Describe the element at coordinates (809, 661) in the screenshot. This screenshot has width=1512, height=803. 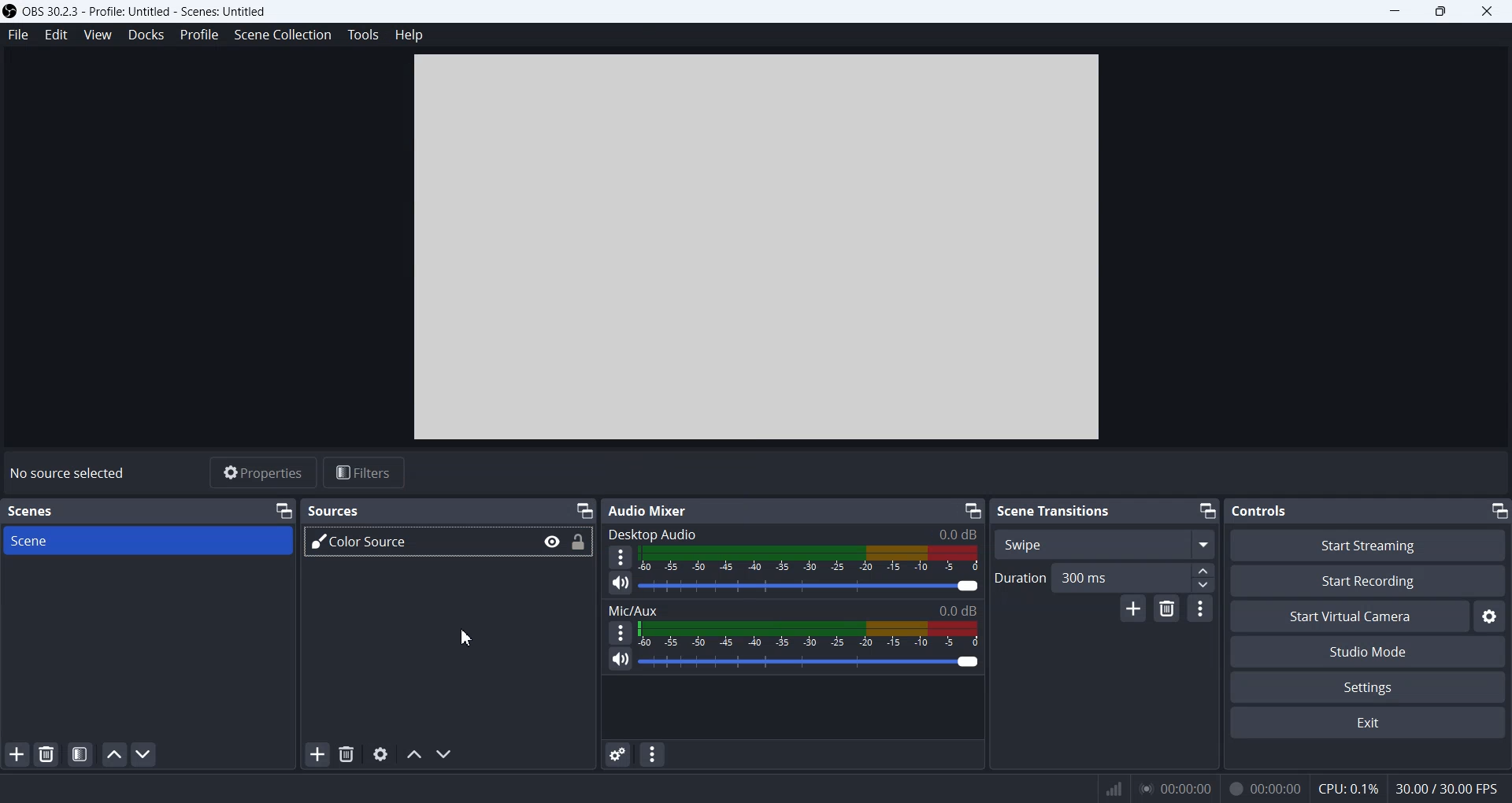
I see `Volume Adjuster` at that location.